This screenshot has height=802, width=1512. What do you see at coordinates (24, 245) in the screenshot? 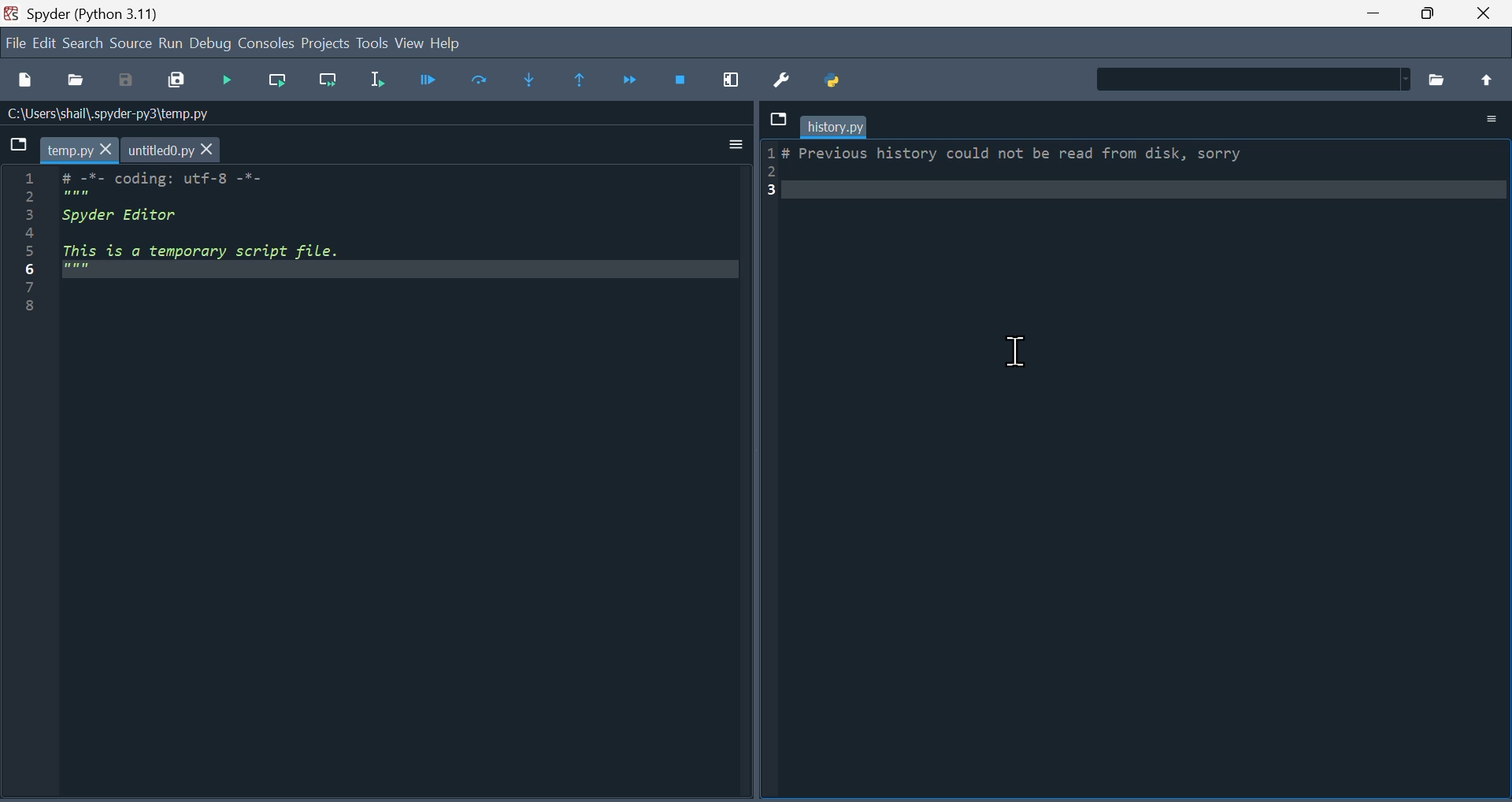
I see `serial number 1-8` at bounding box center [24, 245].